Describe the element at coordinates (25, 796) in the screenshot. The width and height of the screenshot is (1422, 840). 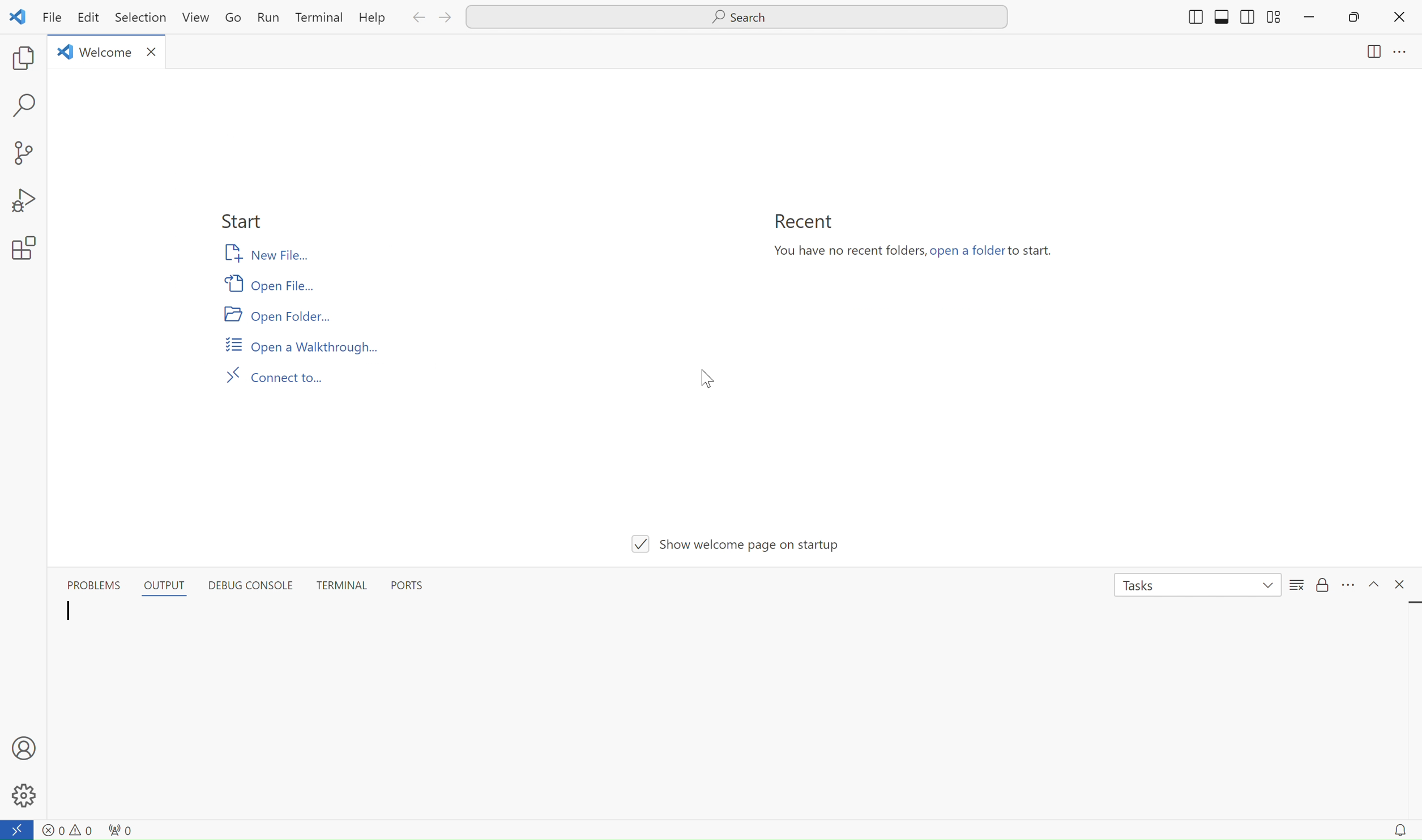
I see `settings` at that location.